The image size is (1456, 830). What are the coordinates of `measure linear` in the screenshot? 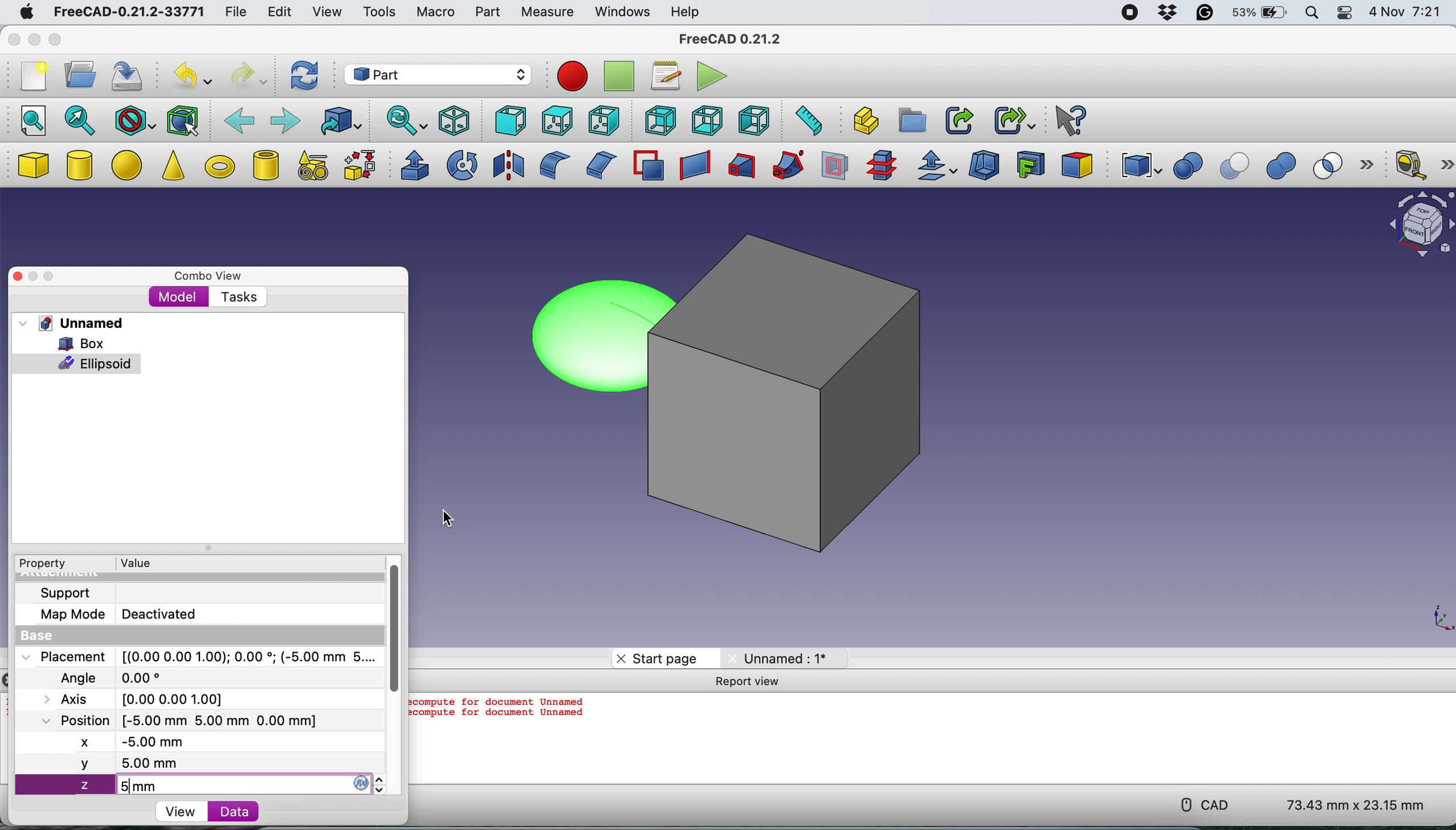 It's located at (1409, 164).